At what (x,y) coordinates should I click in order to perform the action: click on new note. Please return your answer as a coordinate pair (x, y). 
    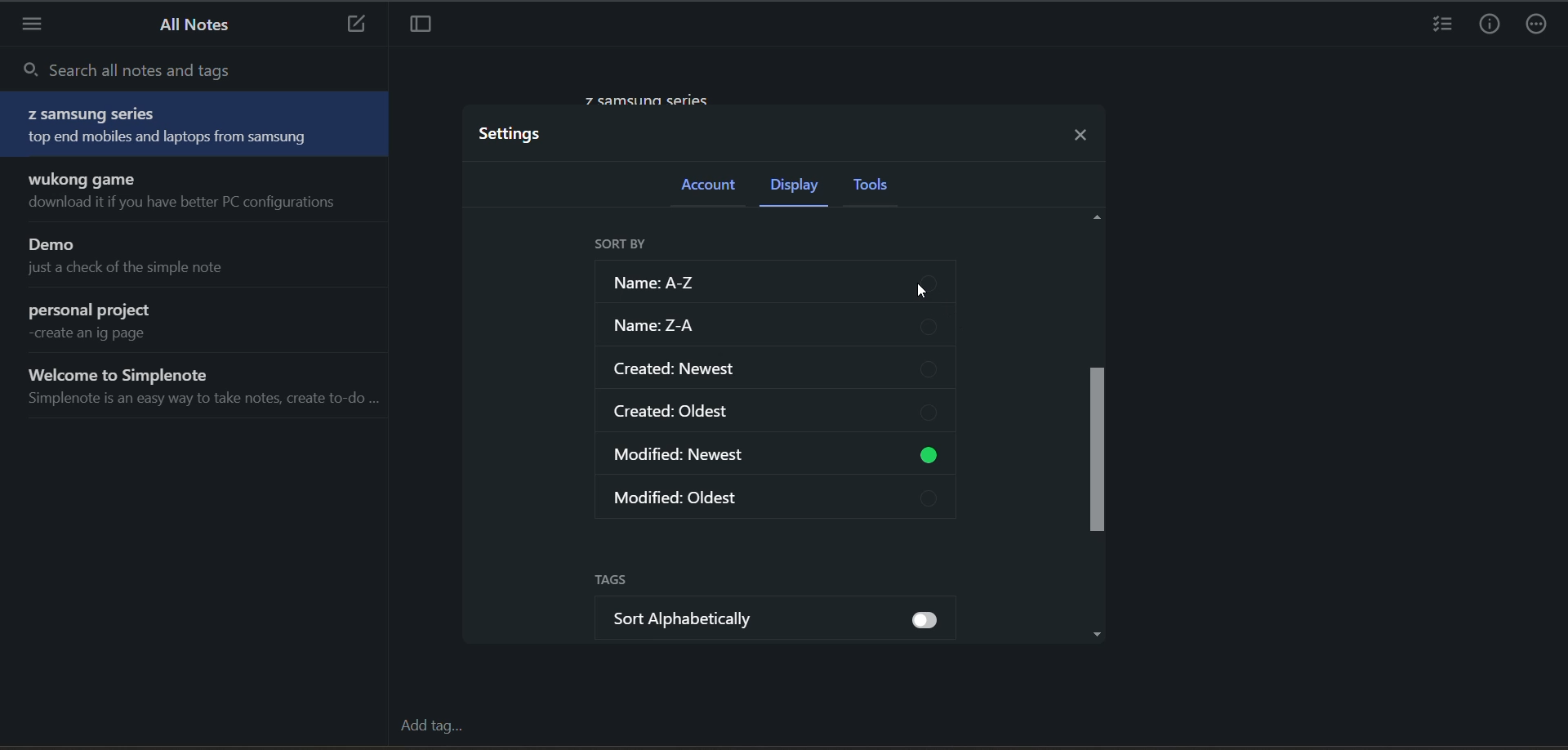
    Looking at the image, I should click on (353, 24).